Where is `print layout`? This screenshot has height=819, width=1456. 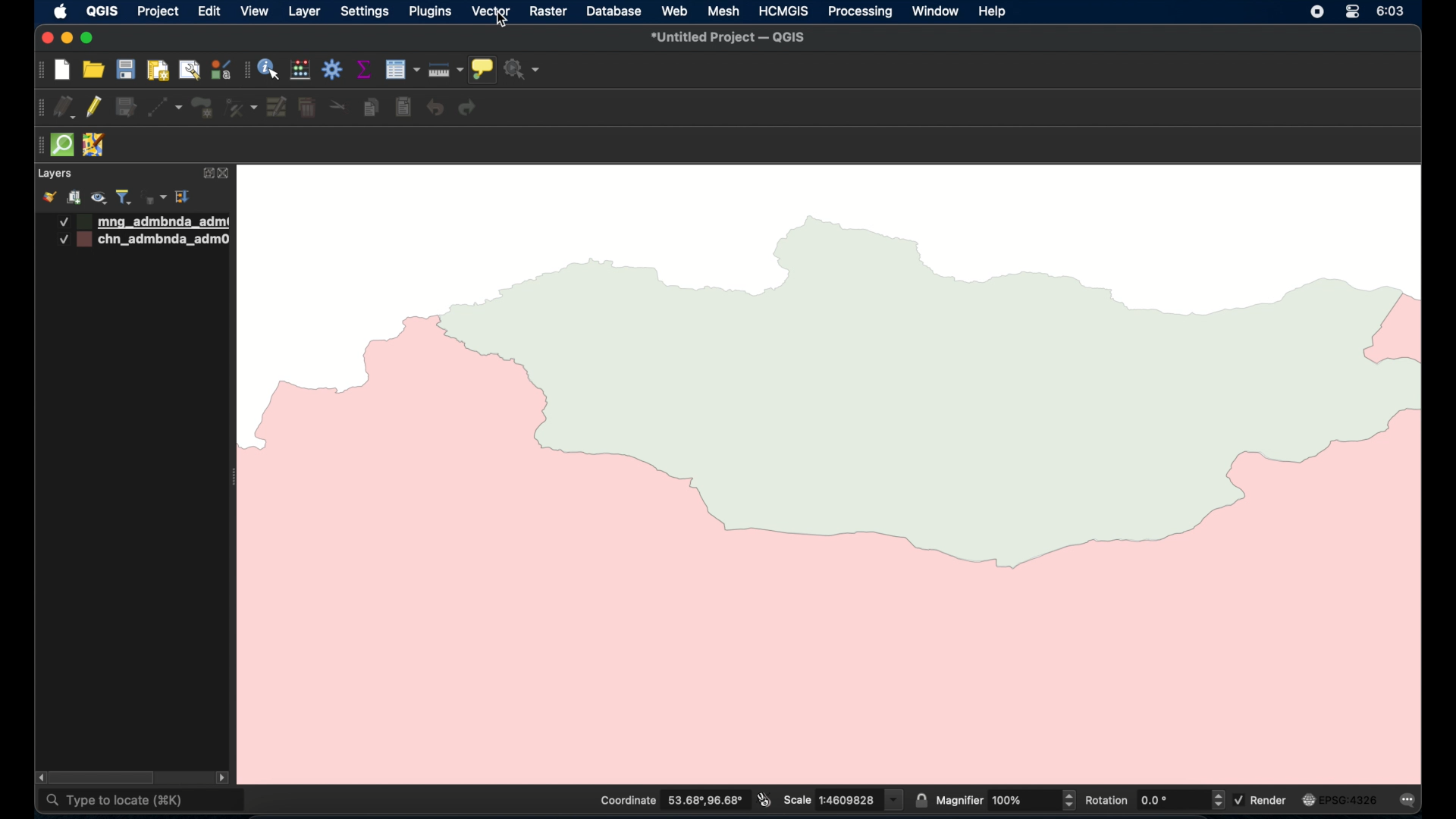
print layout is located at coordinates (157, 71).